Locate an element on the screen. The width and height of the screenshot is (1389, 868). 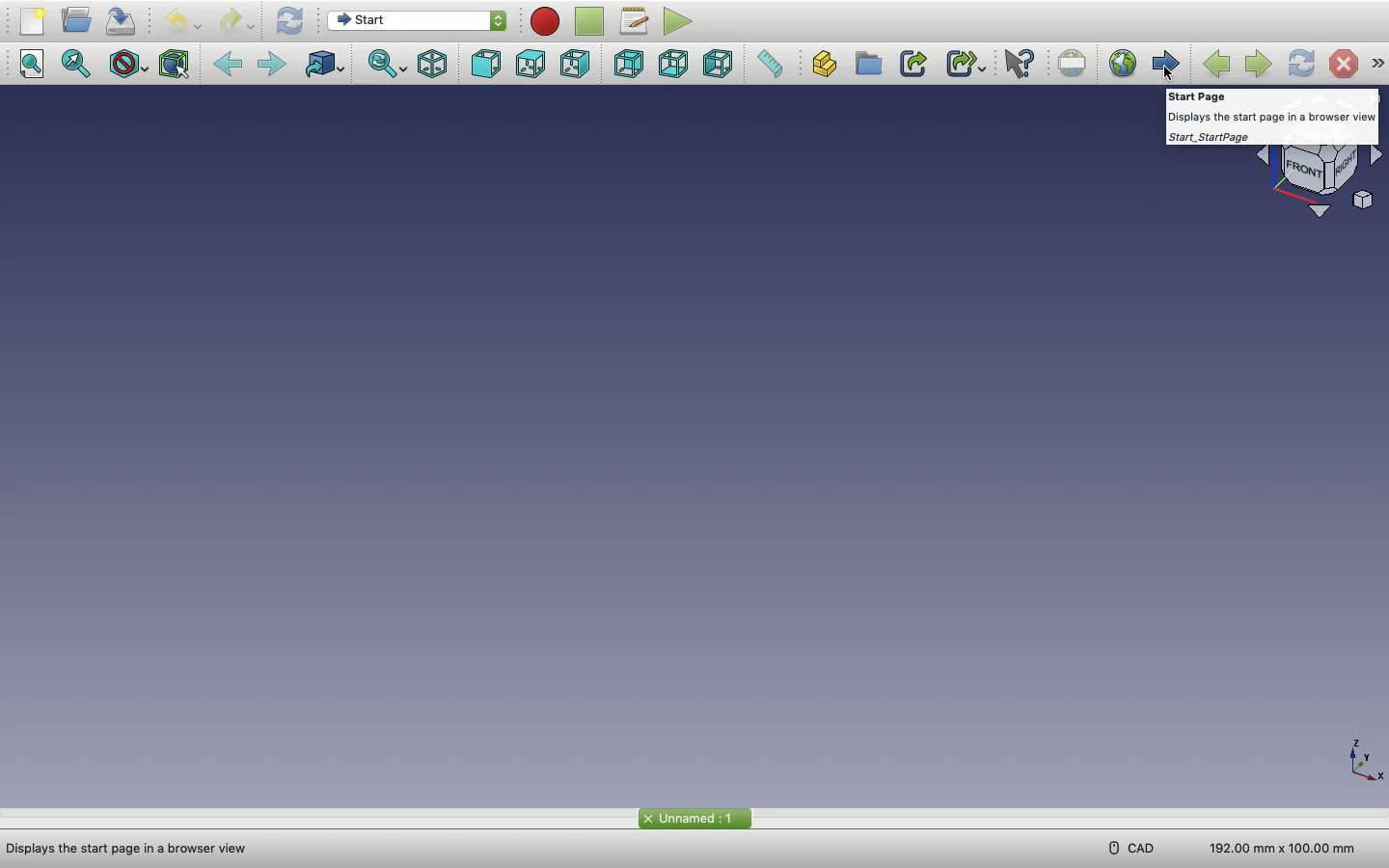
Execute macros is located at coordinates (678, 21).